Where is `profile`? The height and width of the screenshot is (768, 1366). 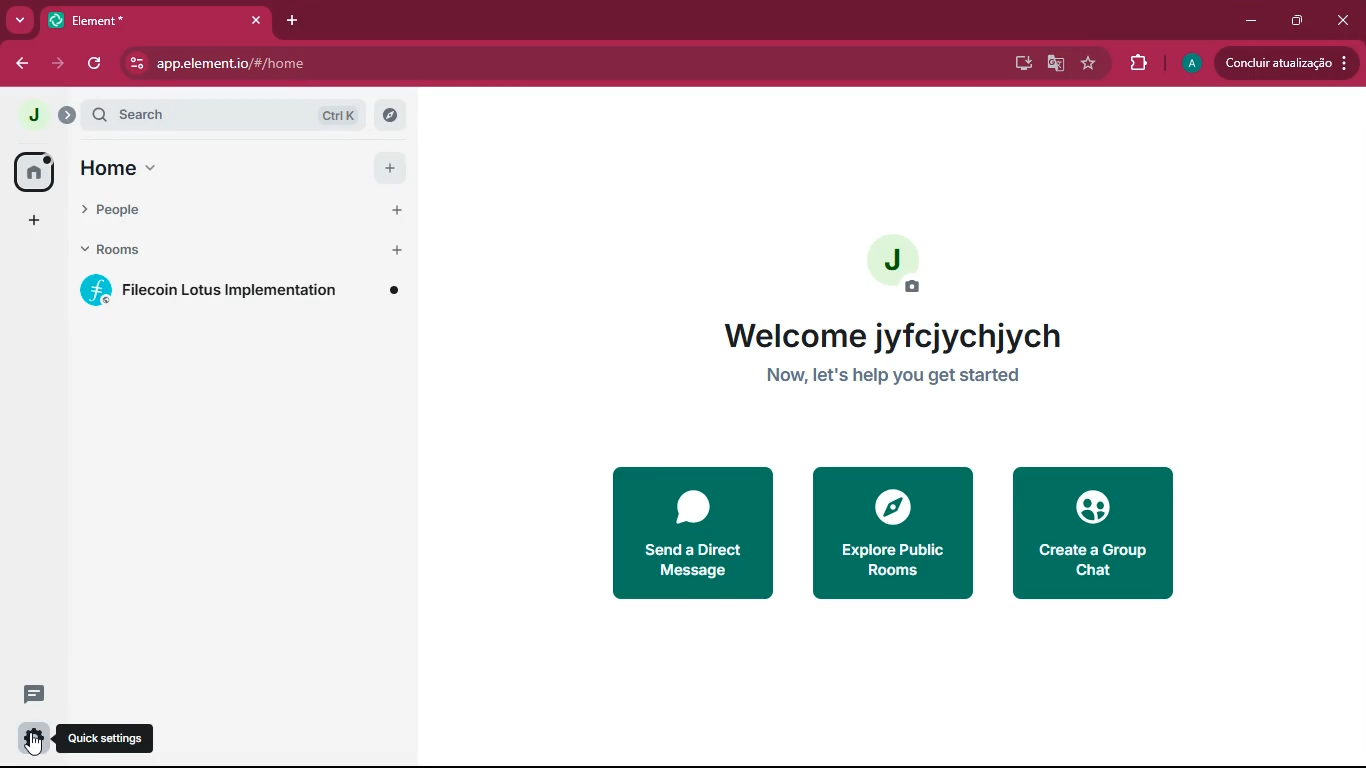
profile is located at coordinates (1193, 63).